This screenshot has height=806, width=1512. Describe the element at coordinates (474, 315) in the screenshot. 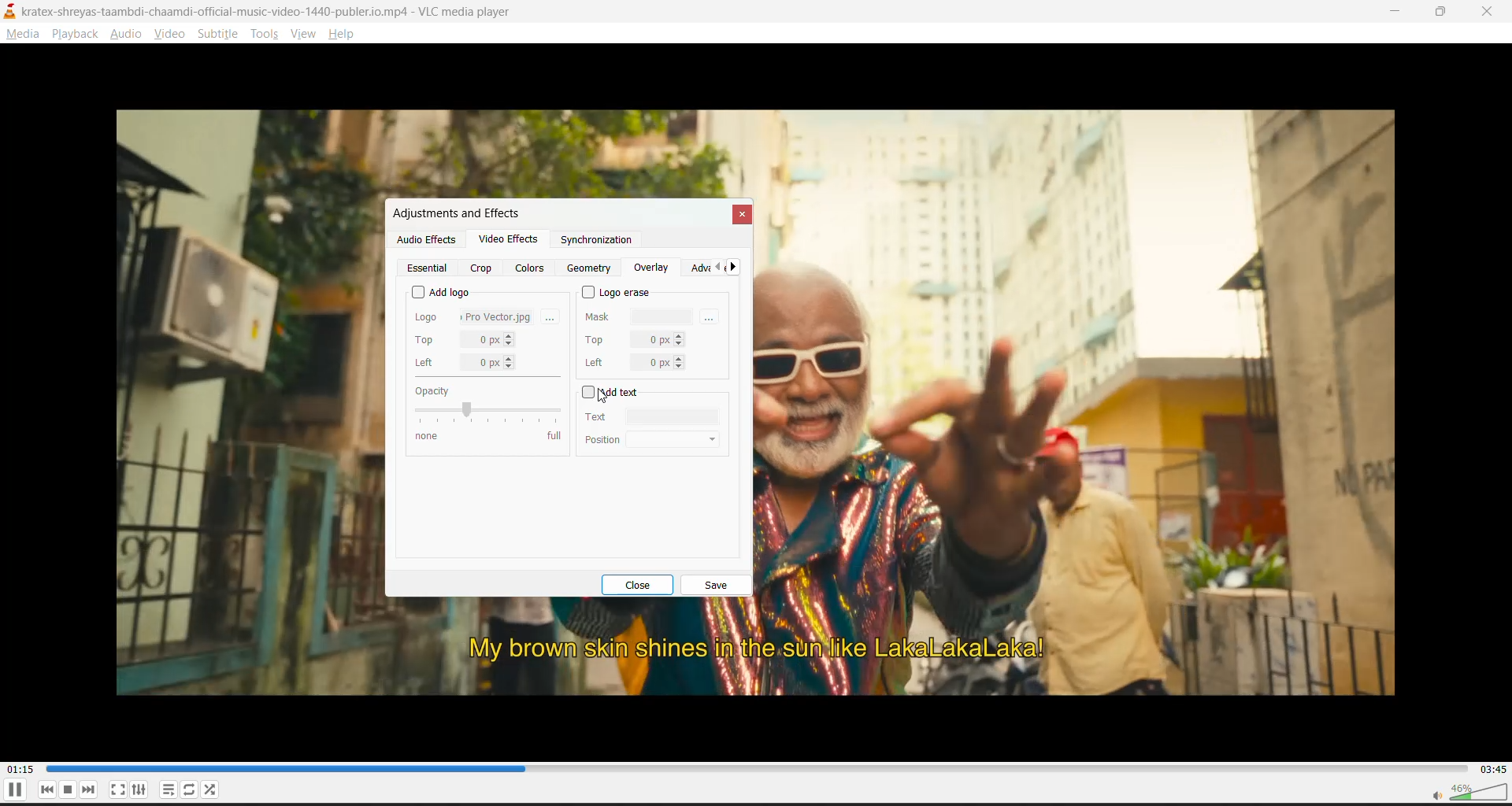

I see `logo` at that location.